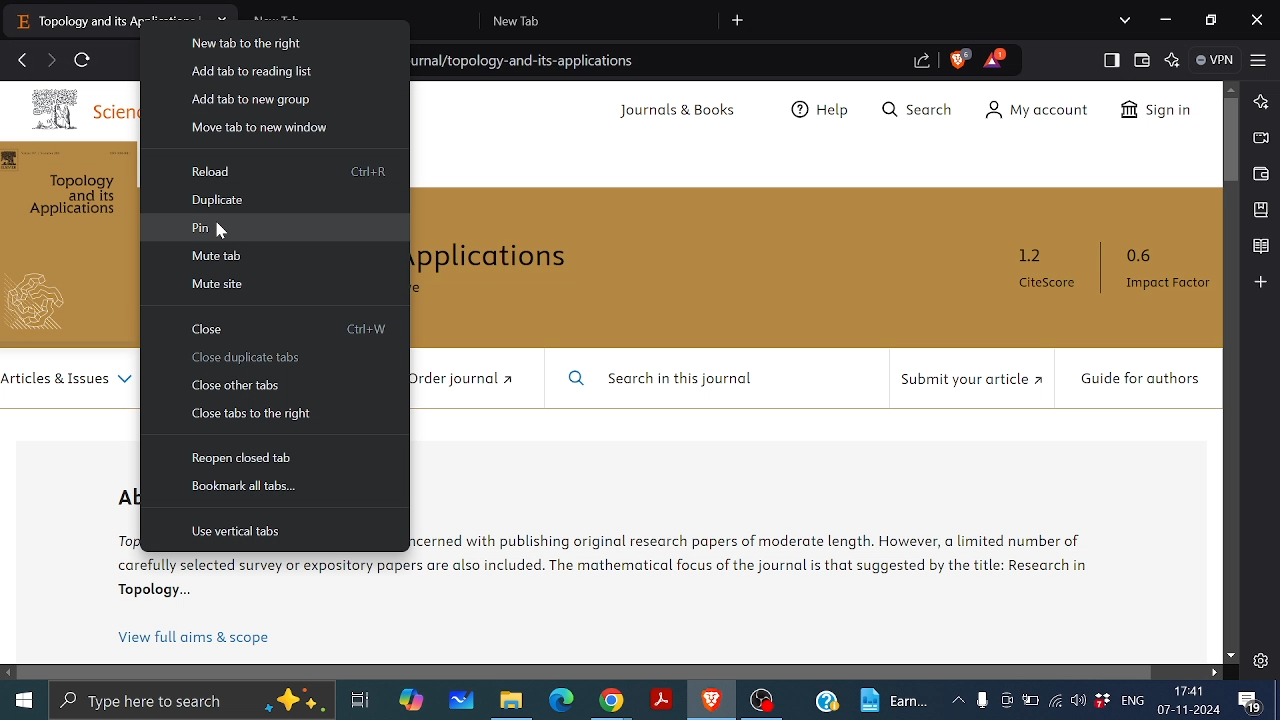  Describe the element at coordinates (218, 285) in the screenshot. I see `Mute site` at that location.